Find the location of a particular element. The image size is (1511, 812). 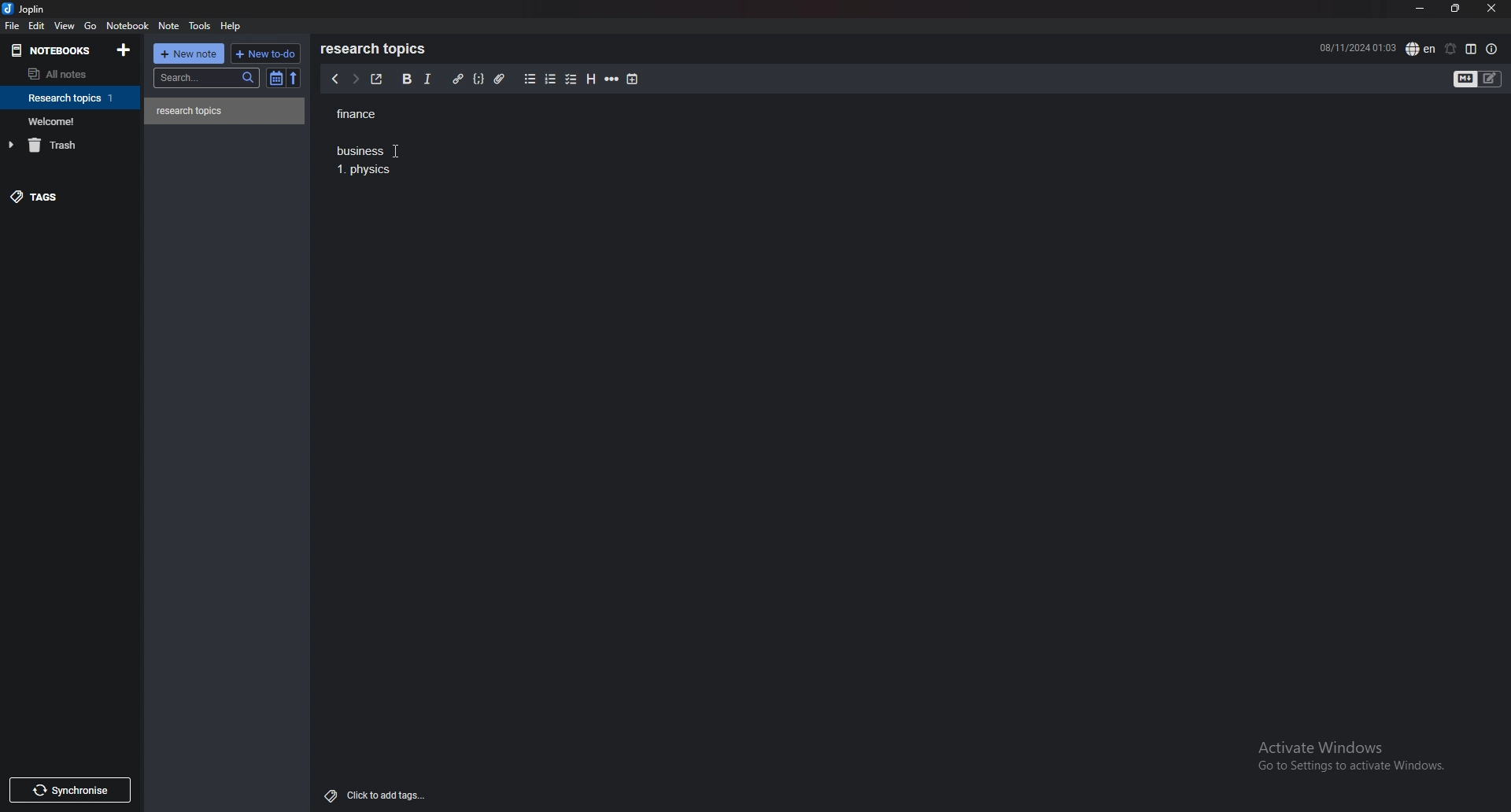

research topics is located at coordinates (376, 49).